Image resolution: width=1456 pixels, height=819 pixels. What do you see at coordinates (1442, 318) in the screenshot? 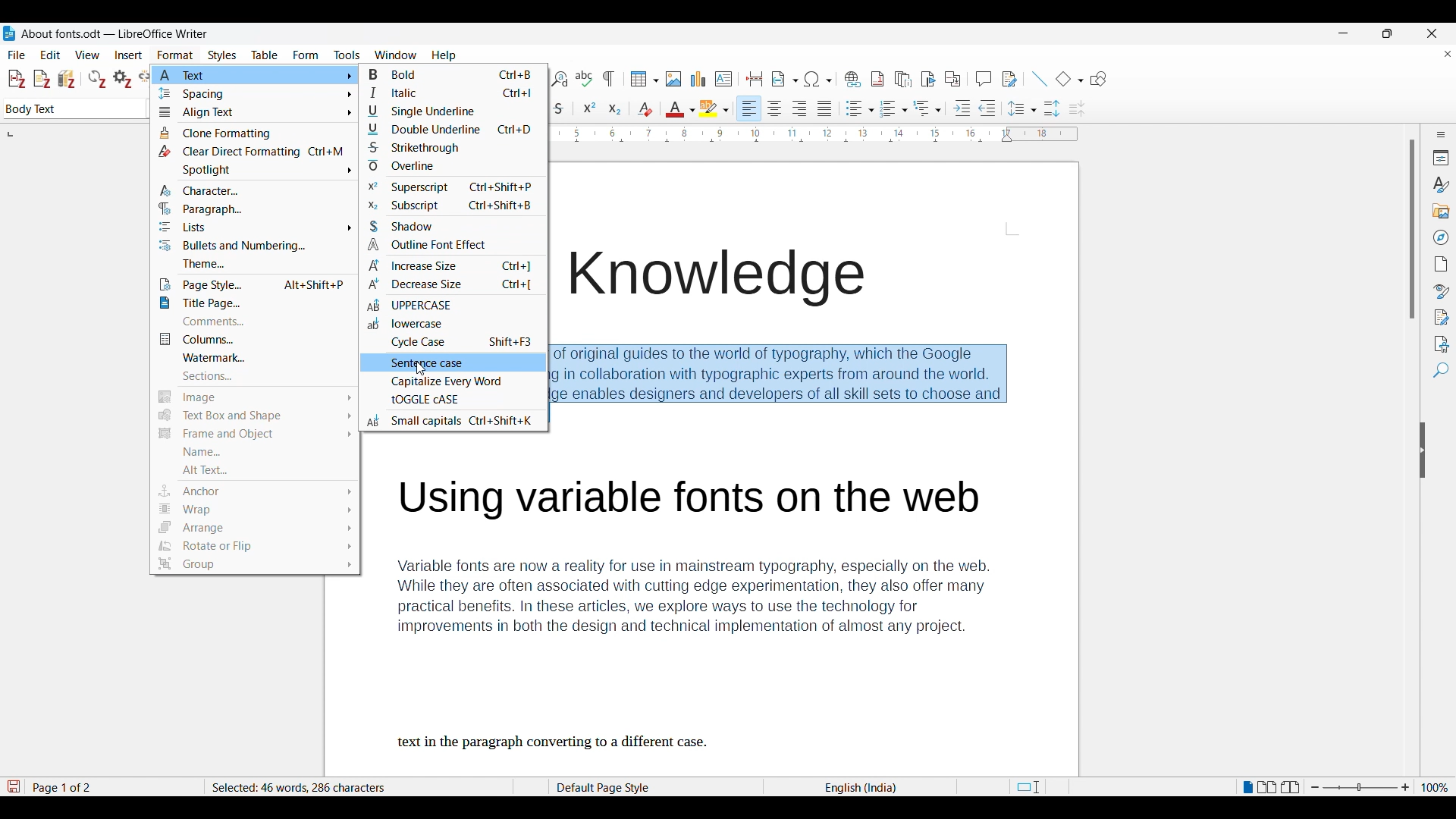
I see `Manage changes` at bounding box center [1442, 318].